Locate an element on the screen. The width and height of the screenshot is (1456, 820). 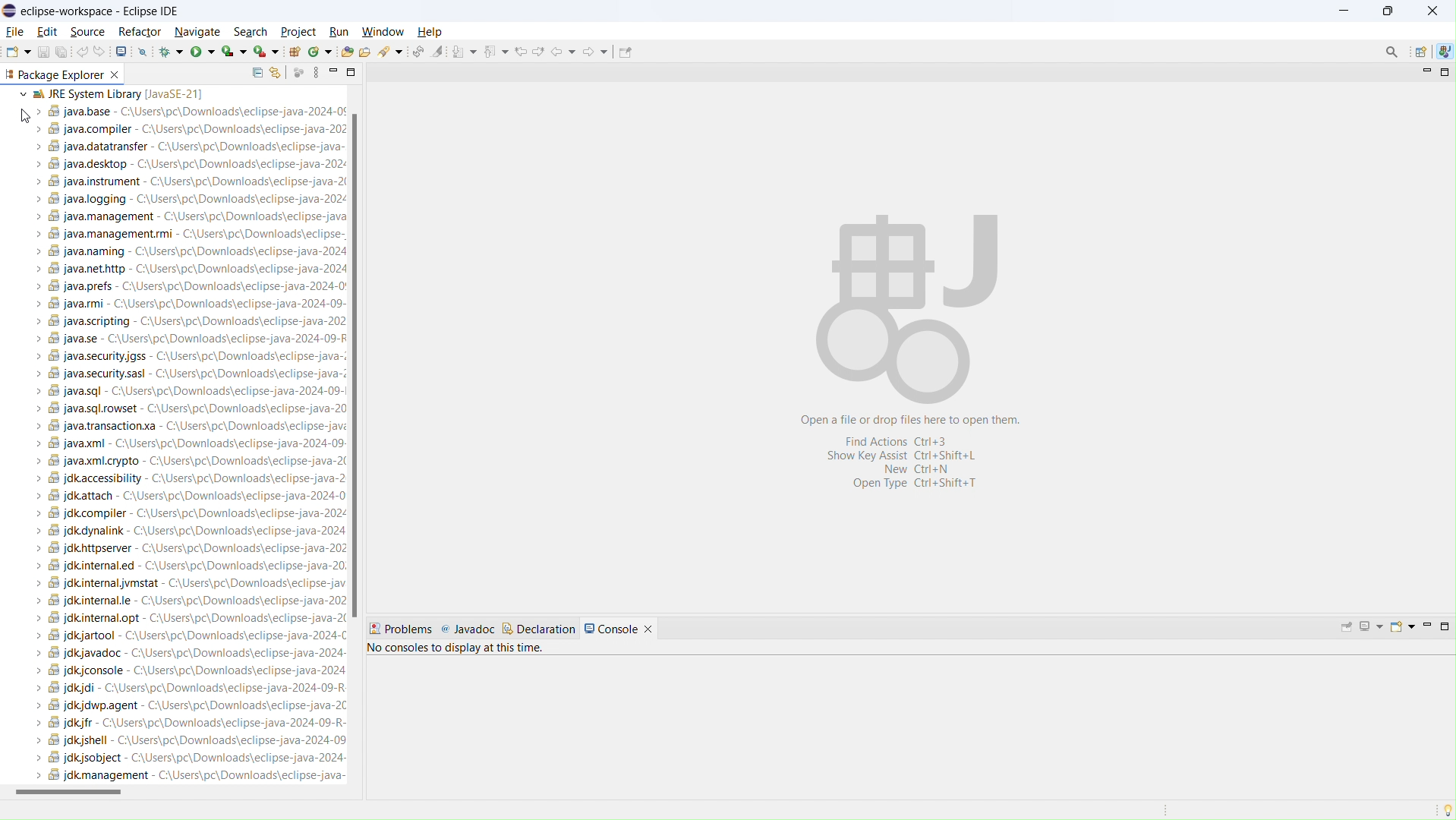
minimize is located at coordinates (1341, 11).